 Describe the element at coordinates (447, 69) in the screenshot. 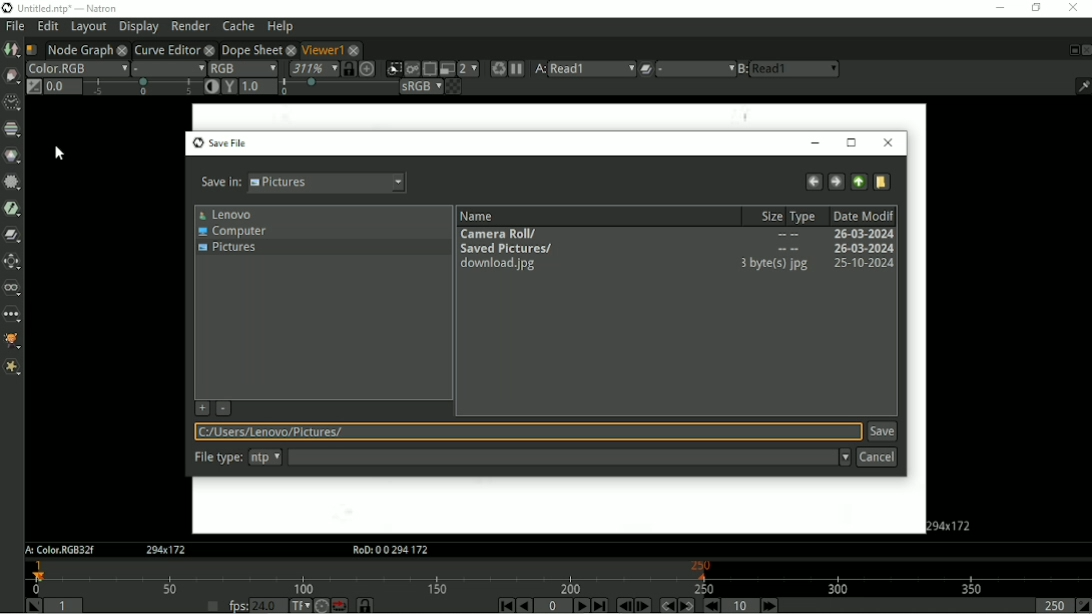

I see `Proxy mode` at that location.